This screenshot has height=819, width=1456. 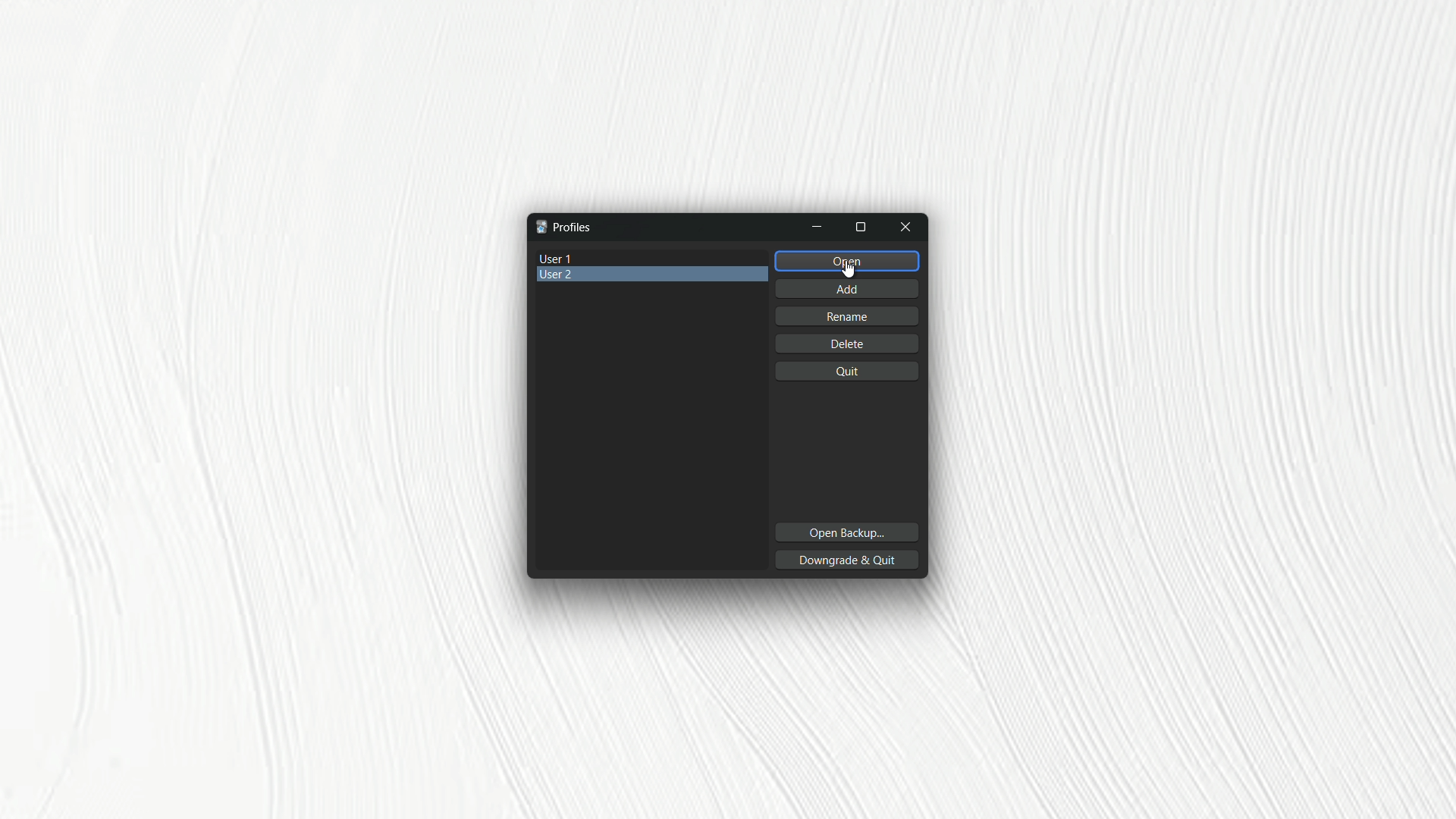 I want to click on minimize, so click(x=817, y=227).